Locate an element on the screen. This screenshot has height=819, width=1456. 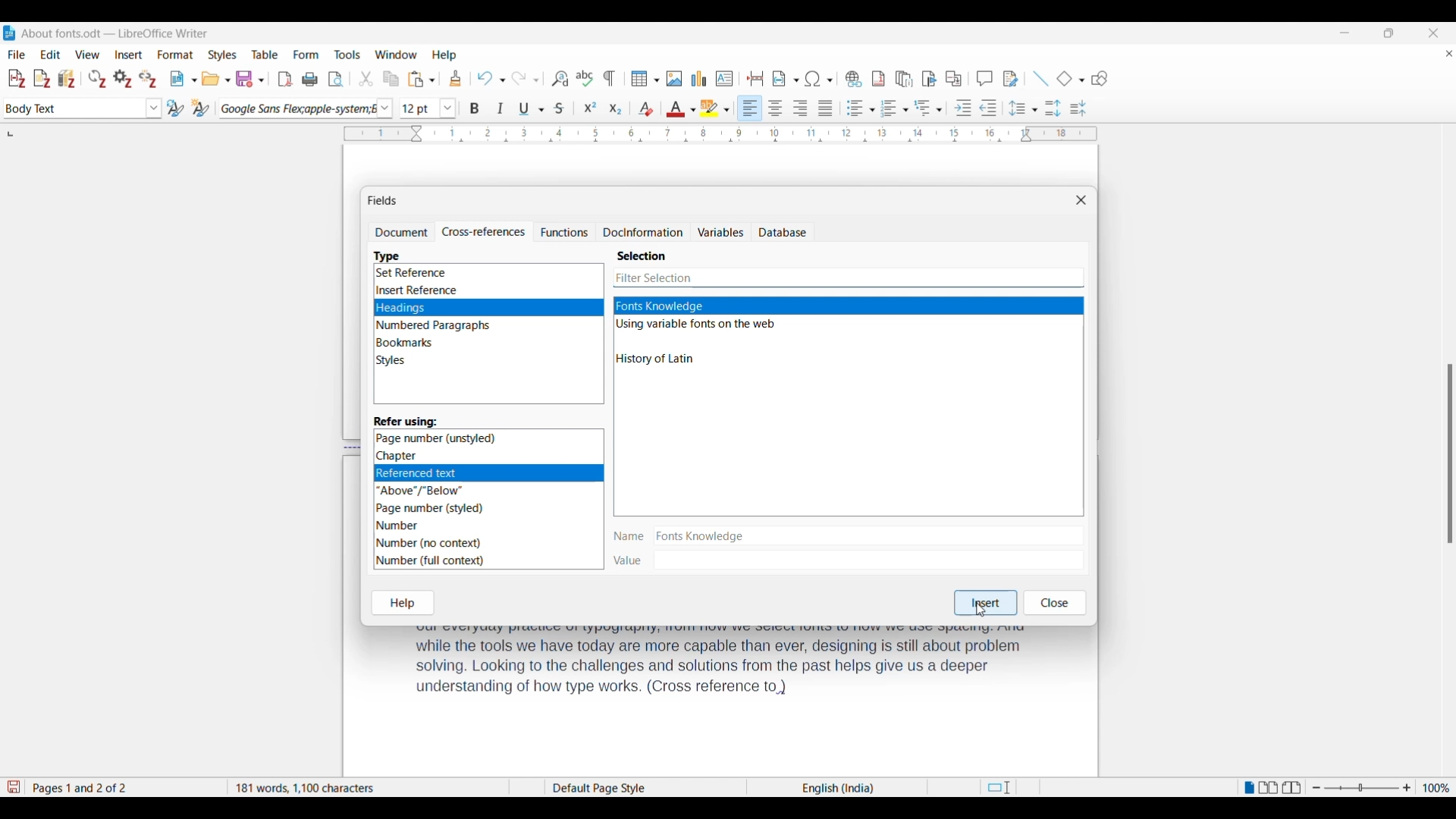
Save options is located at coordinates (250, 79).